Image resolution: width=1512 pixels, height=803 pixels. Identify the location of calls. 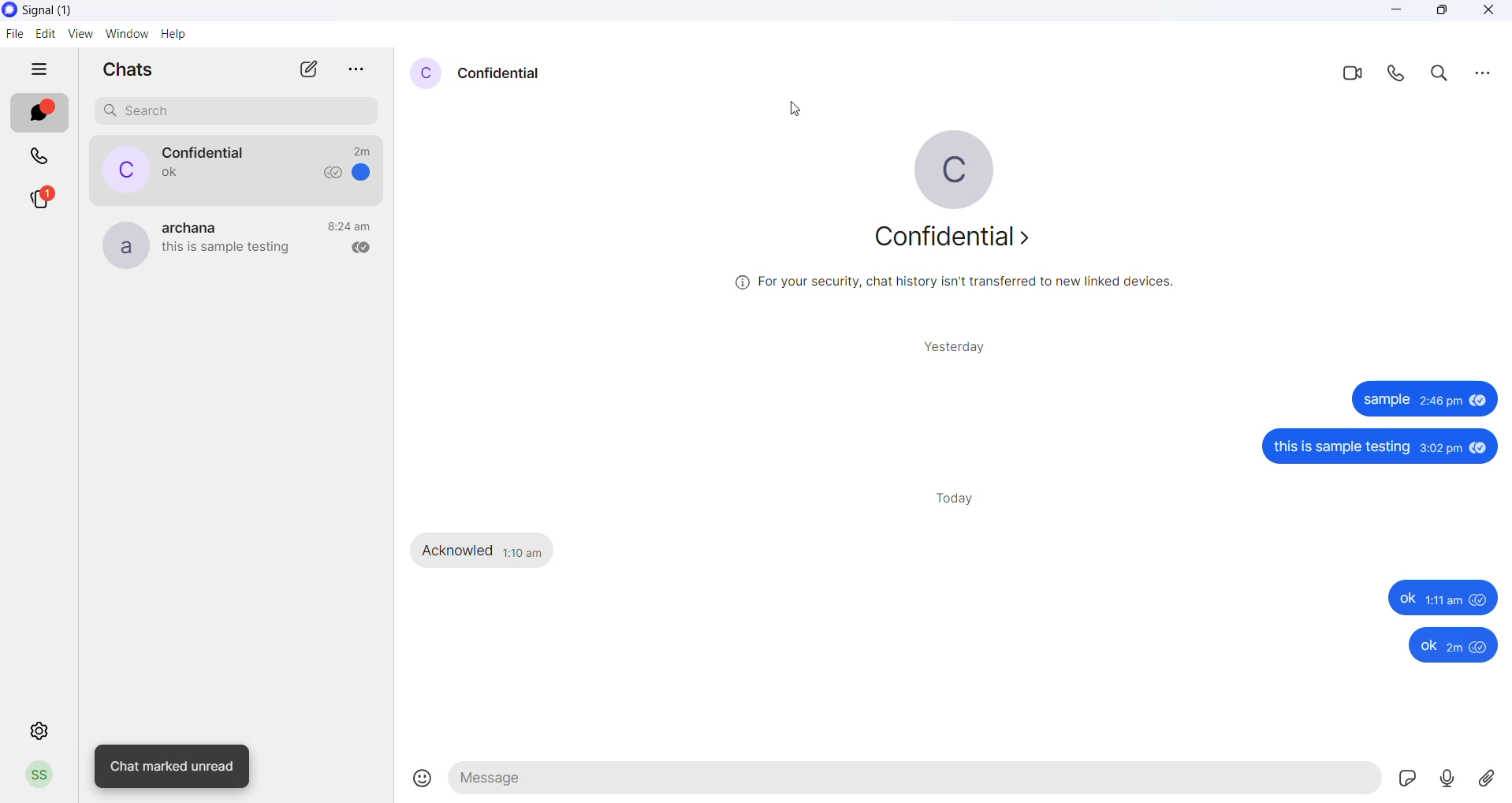
(40, 155).